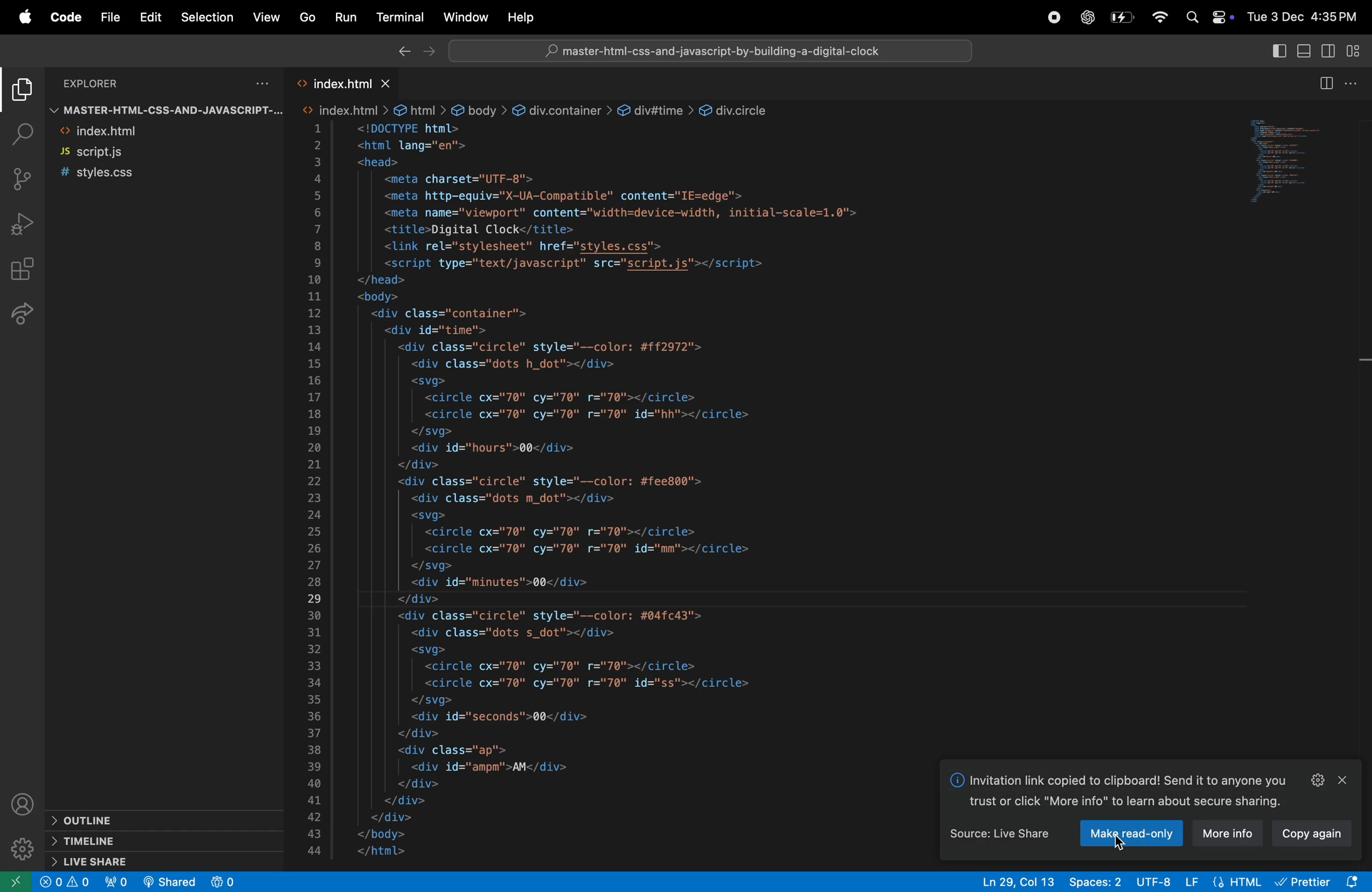  Describe the element at coordinates (65, 882) in the screenshot. I see `no problem` at that location.